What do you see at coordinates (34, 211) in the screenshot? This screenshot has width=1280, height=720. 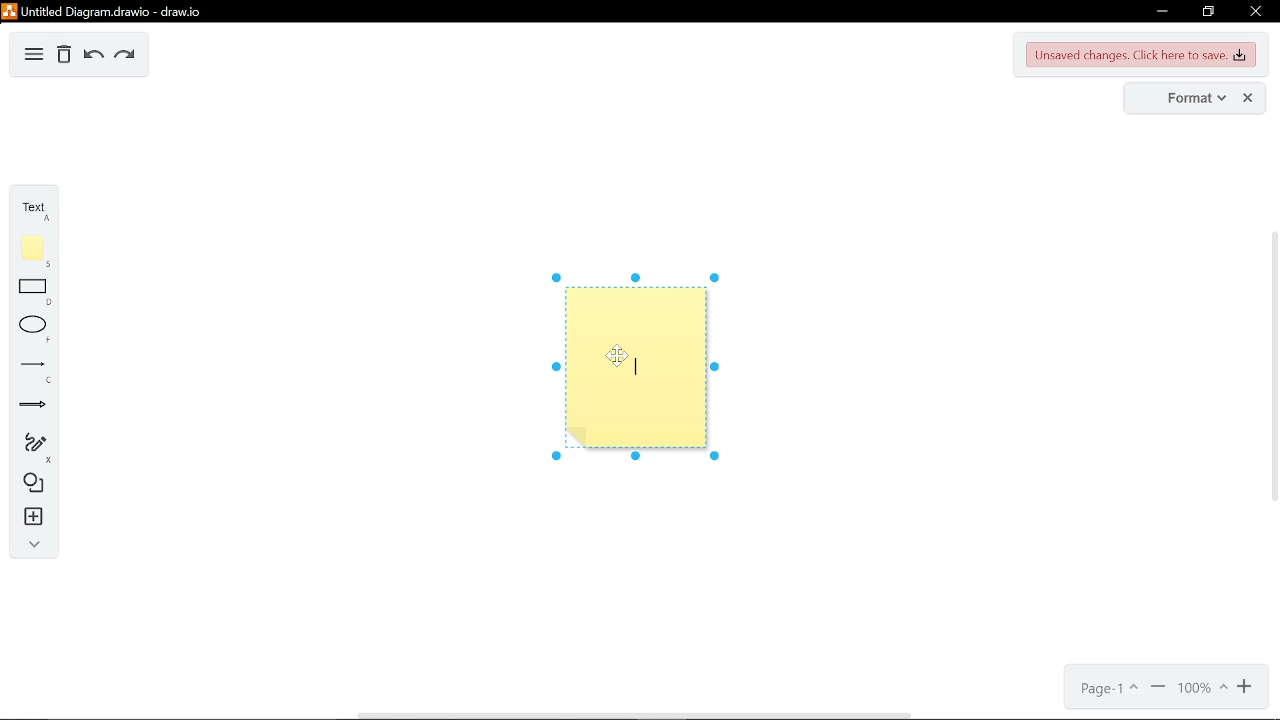 I see `text` at bounding box center [34, 211].